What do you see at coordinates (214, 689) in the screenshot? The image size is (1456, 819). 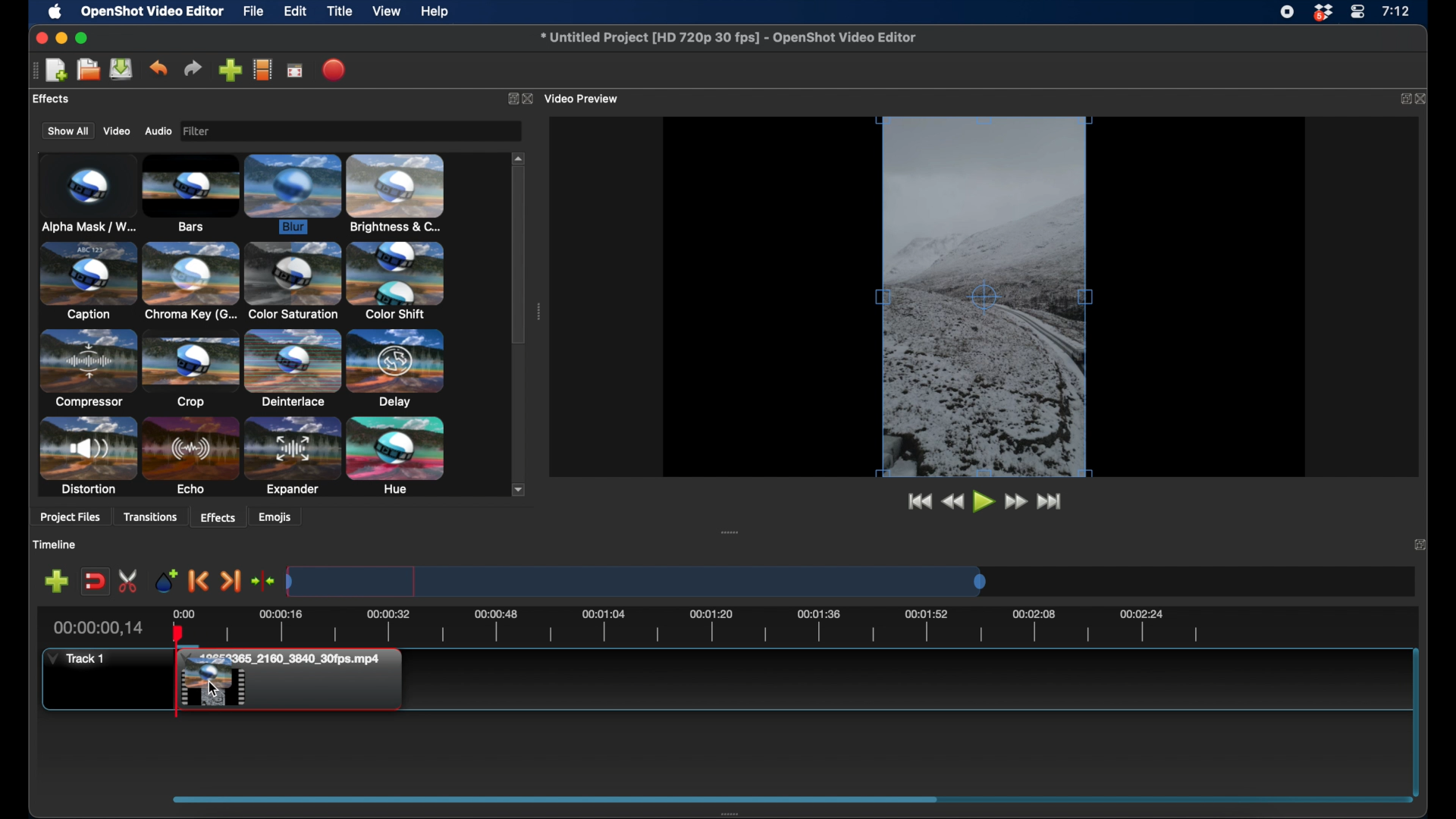 I see `Cursor` at bounding box center [214, 689].